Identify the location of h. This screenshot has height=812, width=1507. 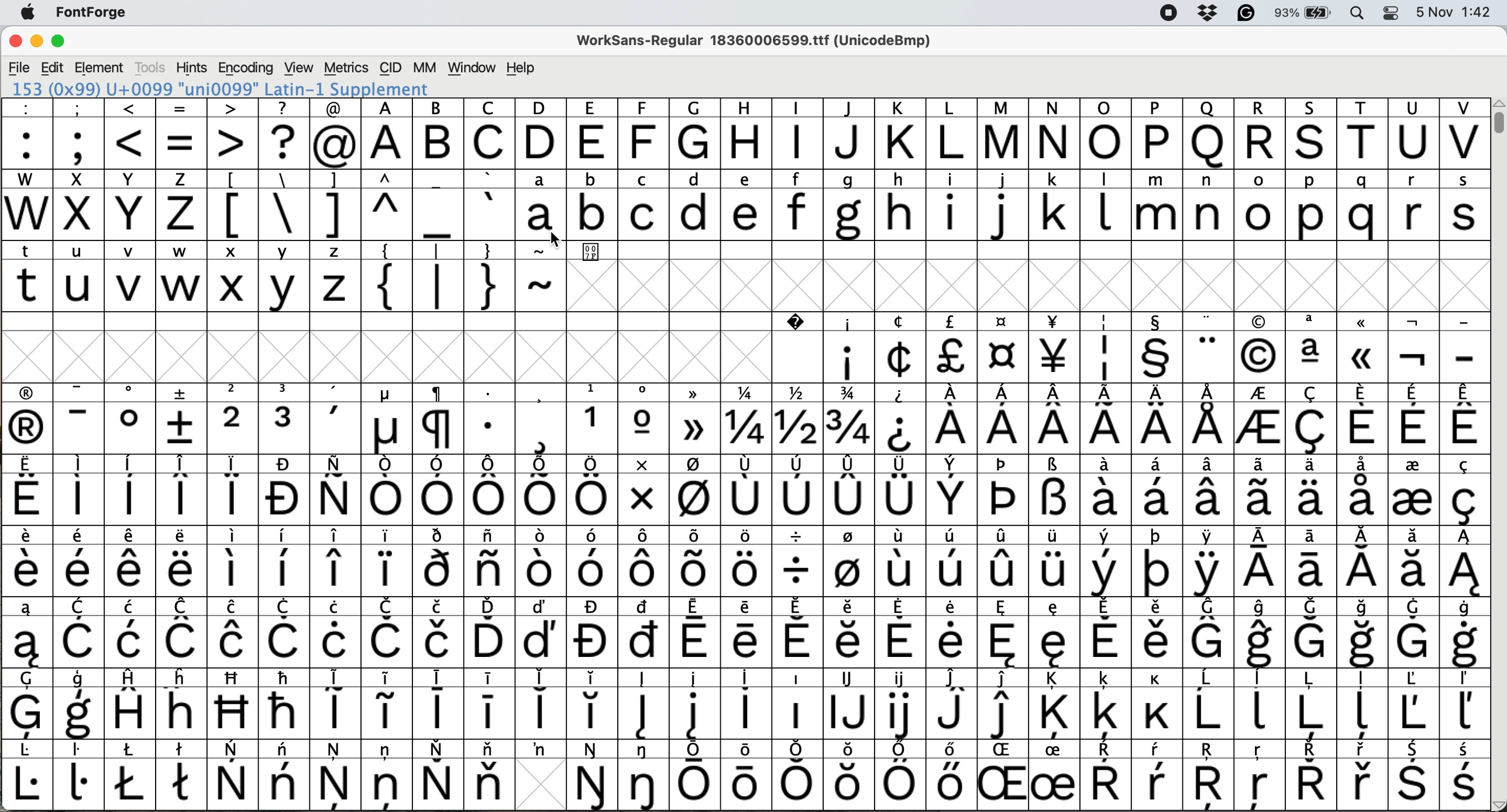
(899, 204).